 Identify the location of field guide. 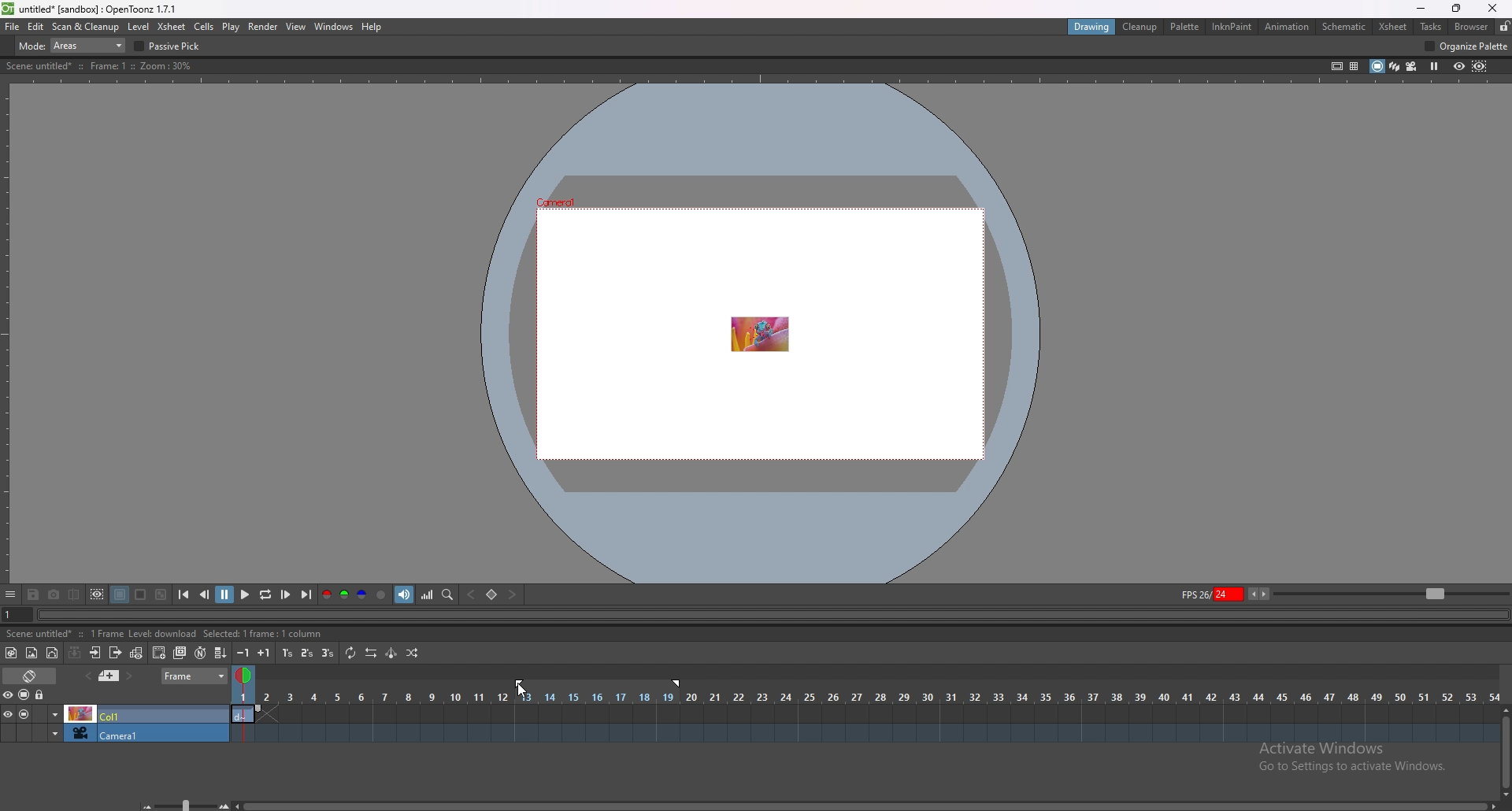
(1354, 67).